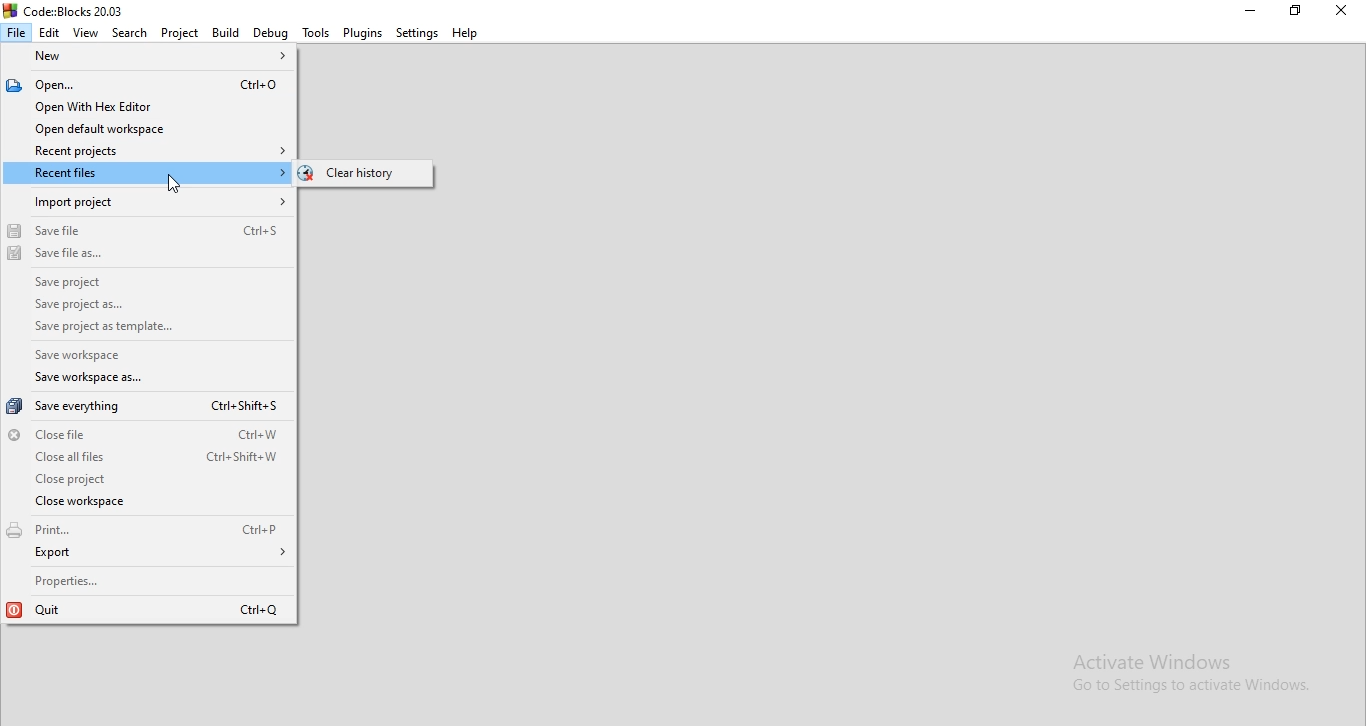 Image resolution: width=1366 pixels, height=726 pixels. Describe the element at coordinates (149, 230) in the screenshot. I see `Save File` at that location.